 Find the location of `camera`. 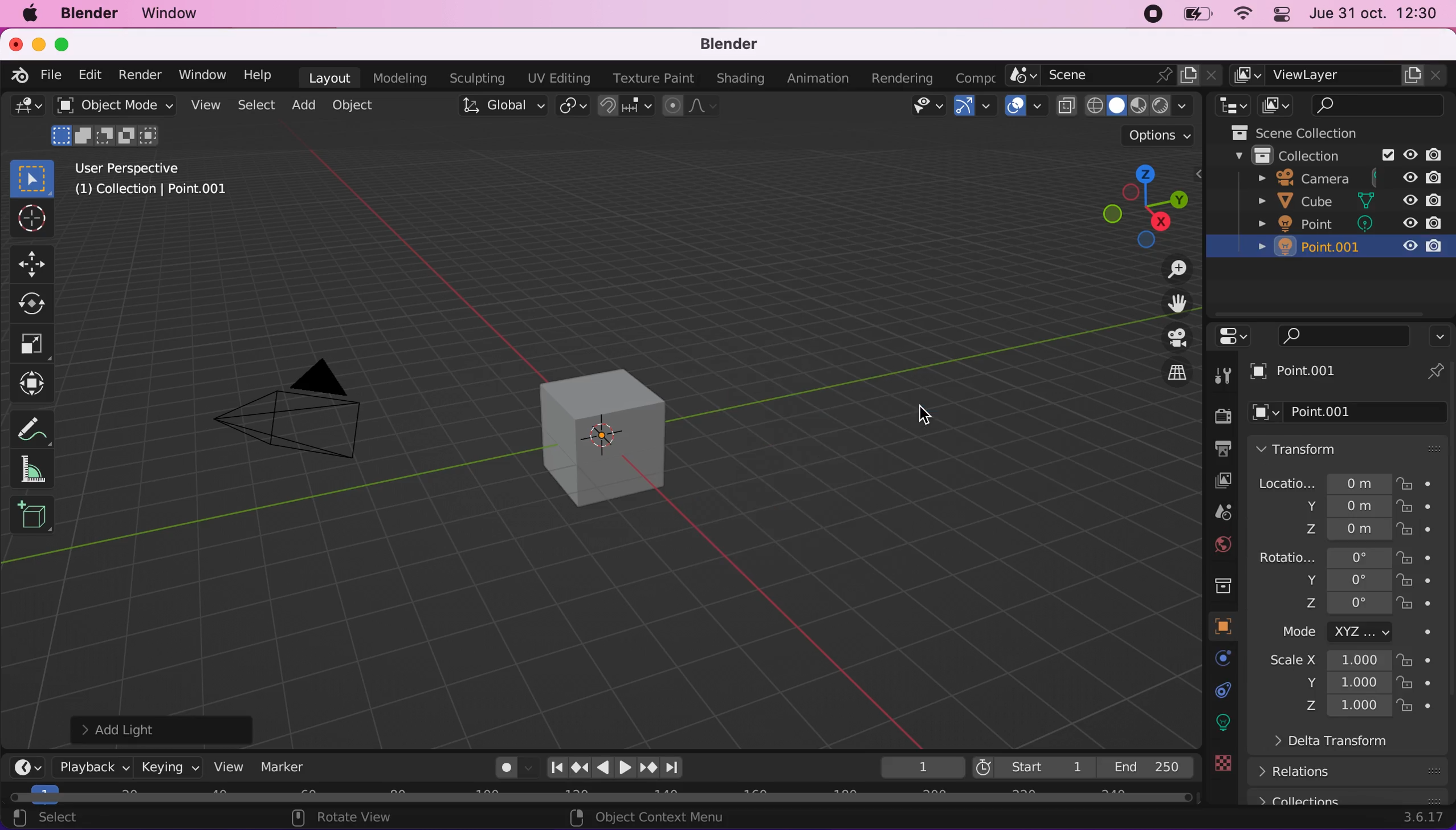

camera is located at coordinates (1287, 178).